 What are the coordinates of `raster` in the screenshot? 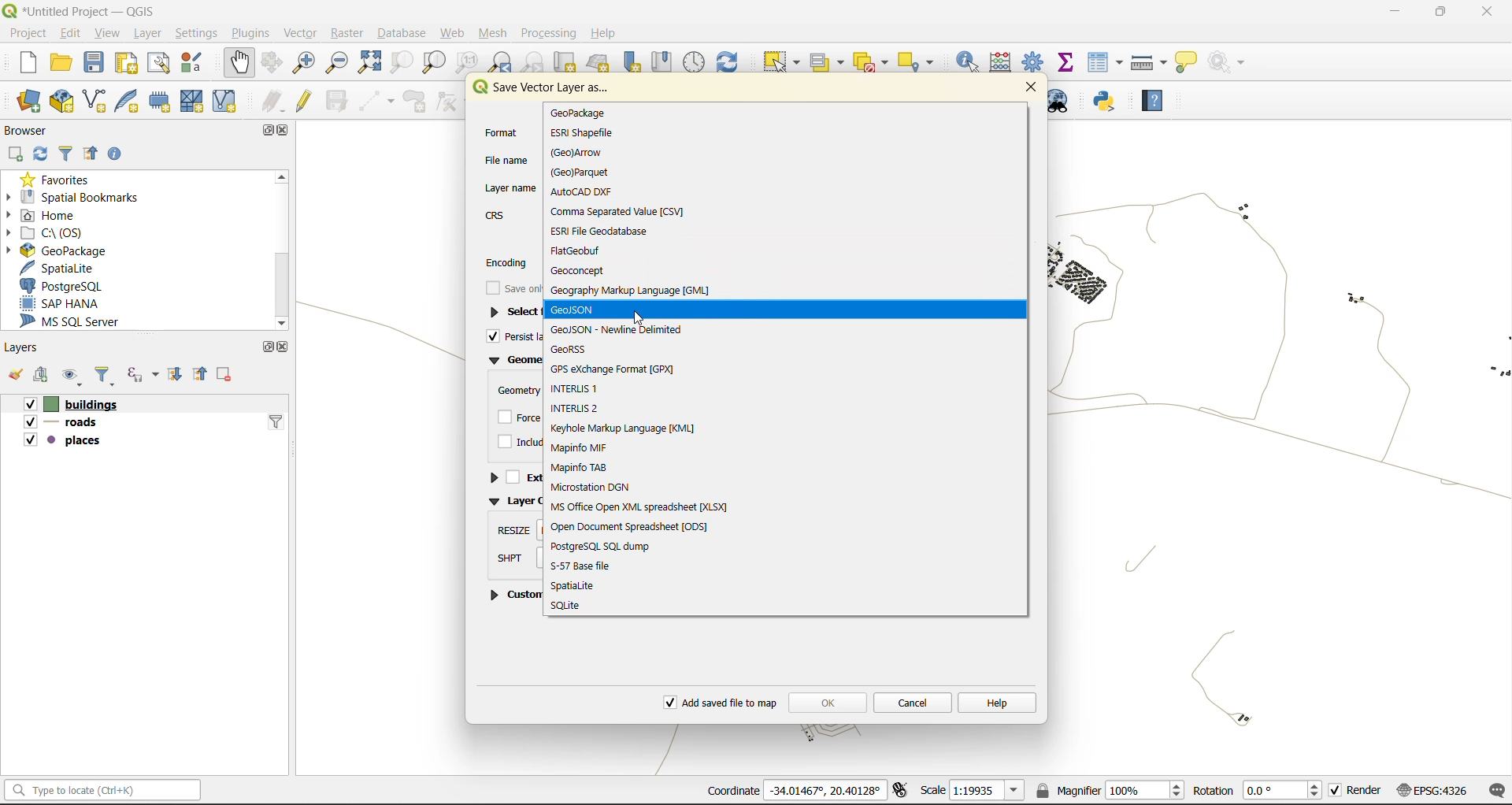 It's located at (351, 33).